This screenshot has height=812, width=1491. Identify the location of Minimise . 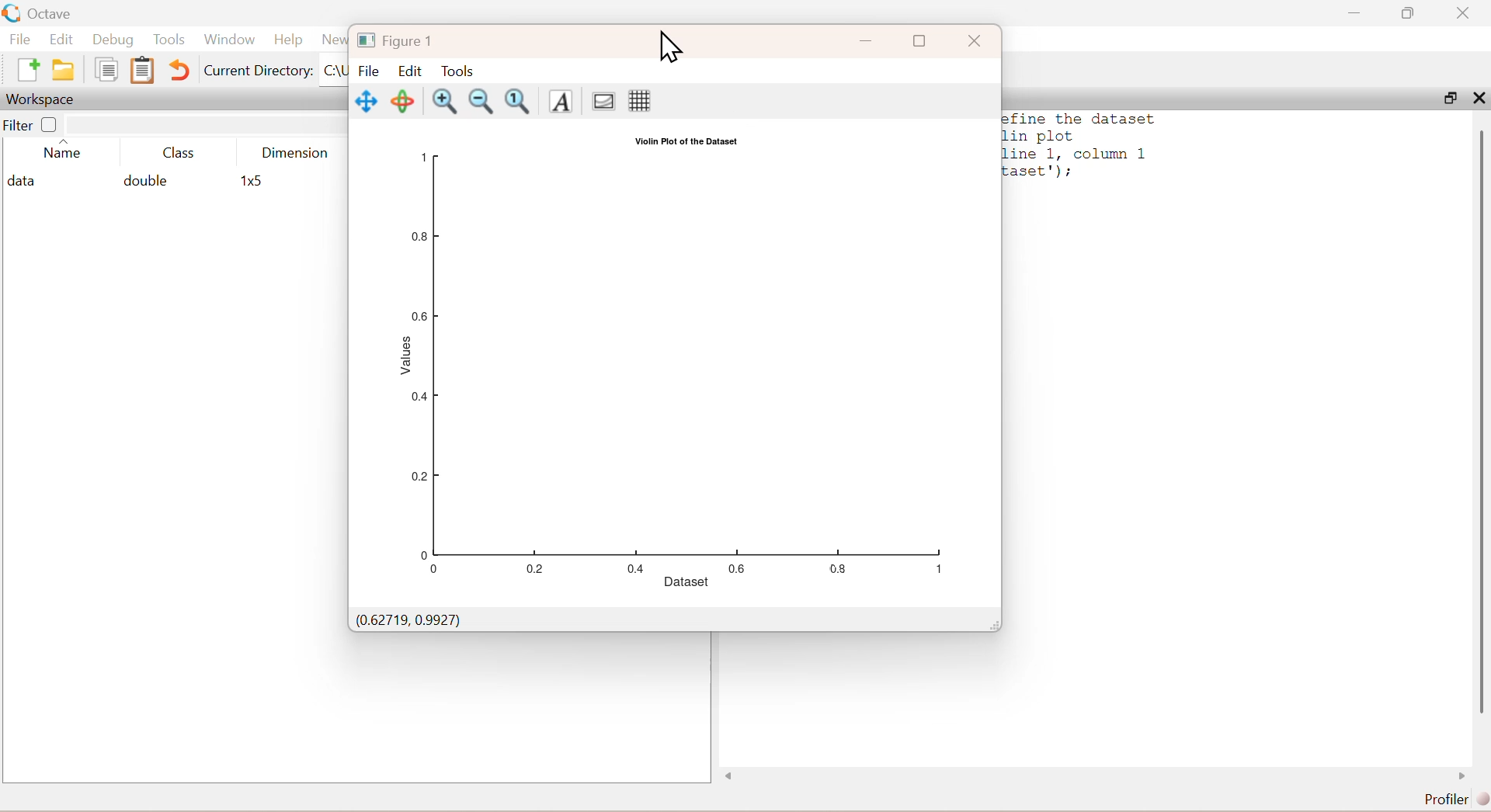
(867, 41).